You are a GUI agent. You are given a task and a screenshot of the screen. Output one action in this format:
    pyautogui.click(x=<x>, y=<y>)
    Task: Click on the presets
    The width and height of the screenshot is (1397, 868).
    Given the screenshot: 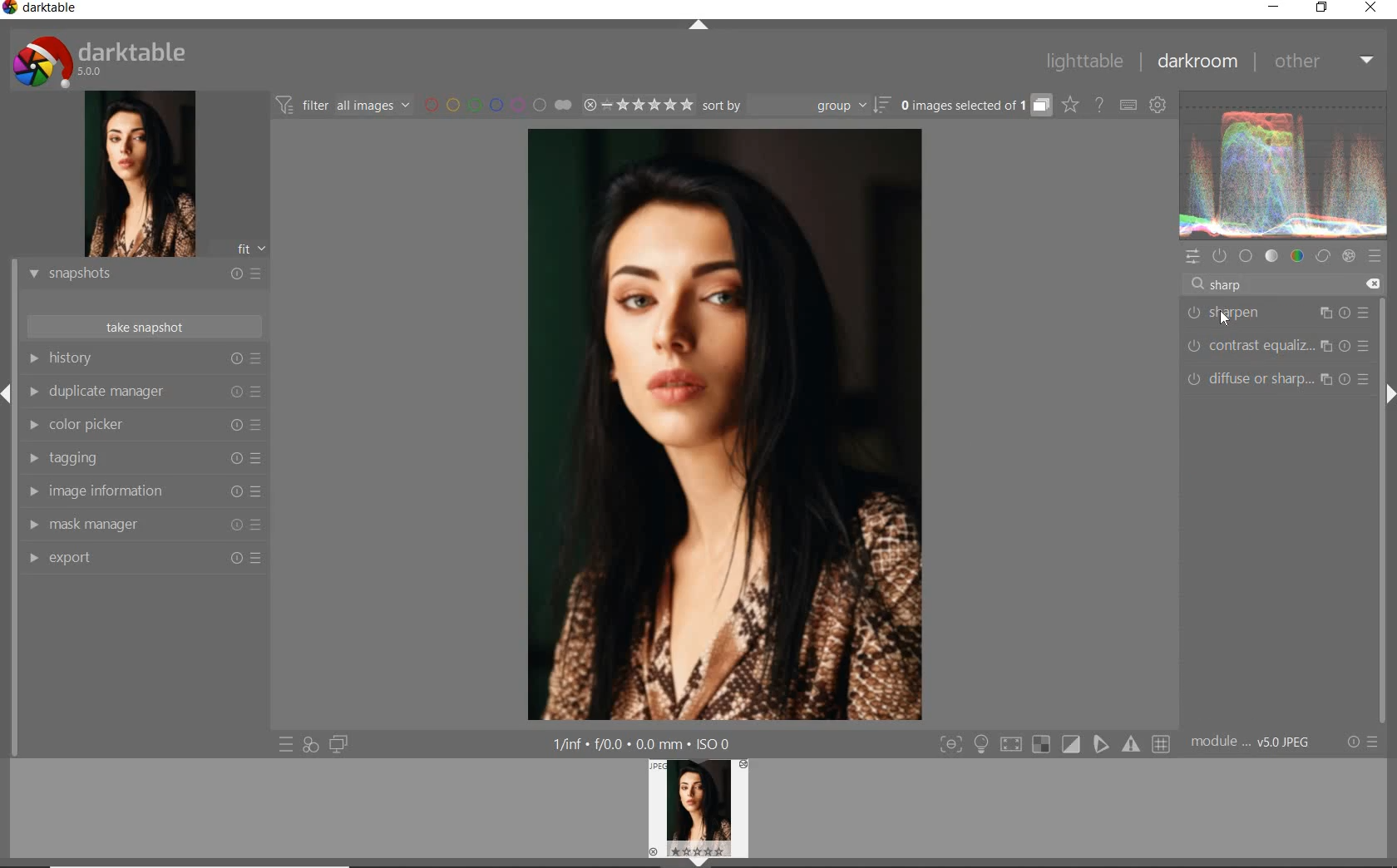 What is the action you would take?
    pyautogui.click(x=1377, y=258)
    